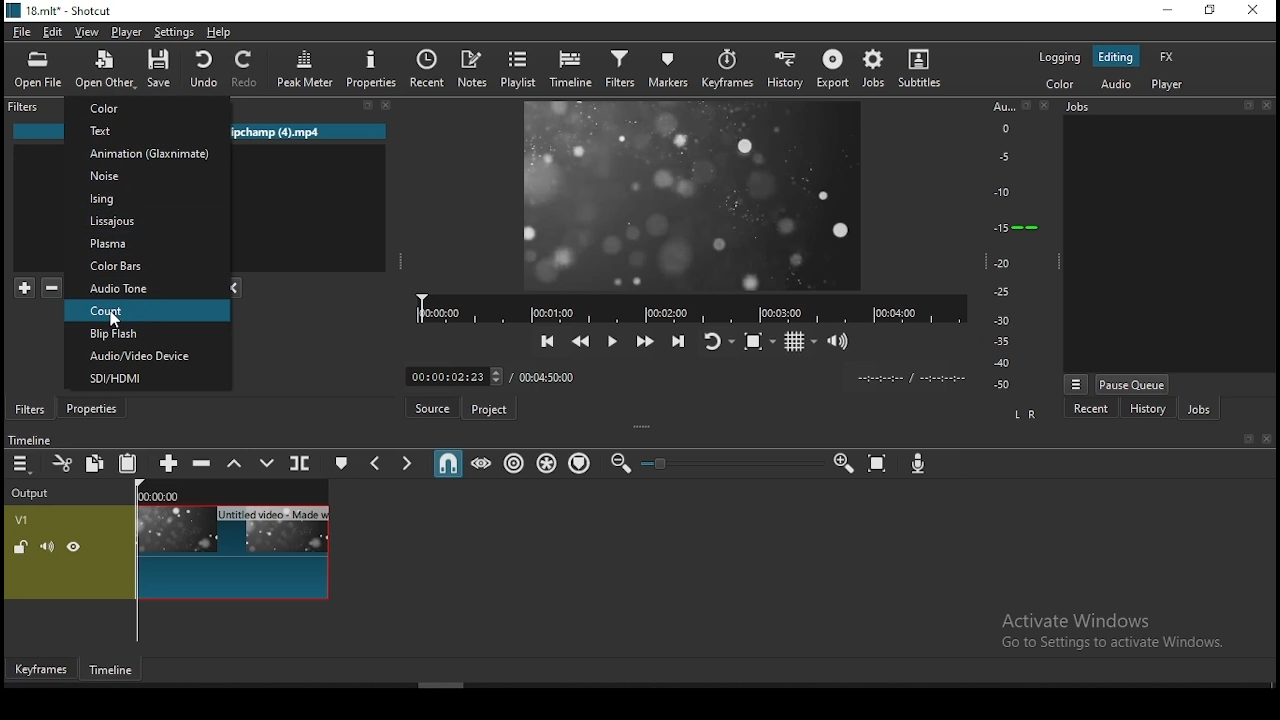 The image size is (1280, 720). What do you see at coordinates (488, 406) in the screenshot?
I see `Project` at bounding box center [488, 406].